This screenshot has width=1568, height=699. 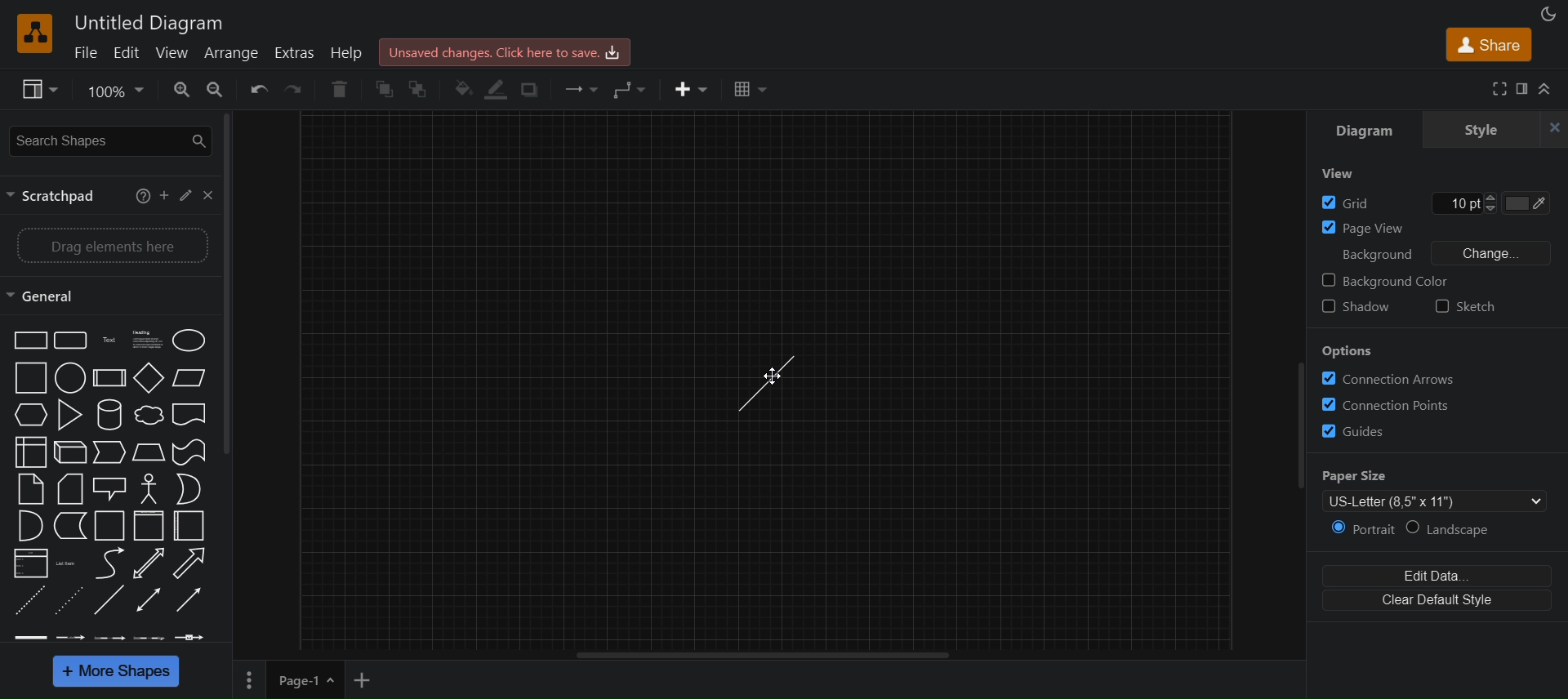 What do you see at coordinates (147, 563) in the screenshot?
I see `Bidirectional arrow` at bounding box center [147, 563].